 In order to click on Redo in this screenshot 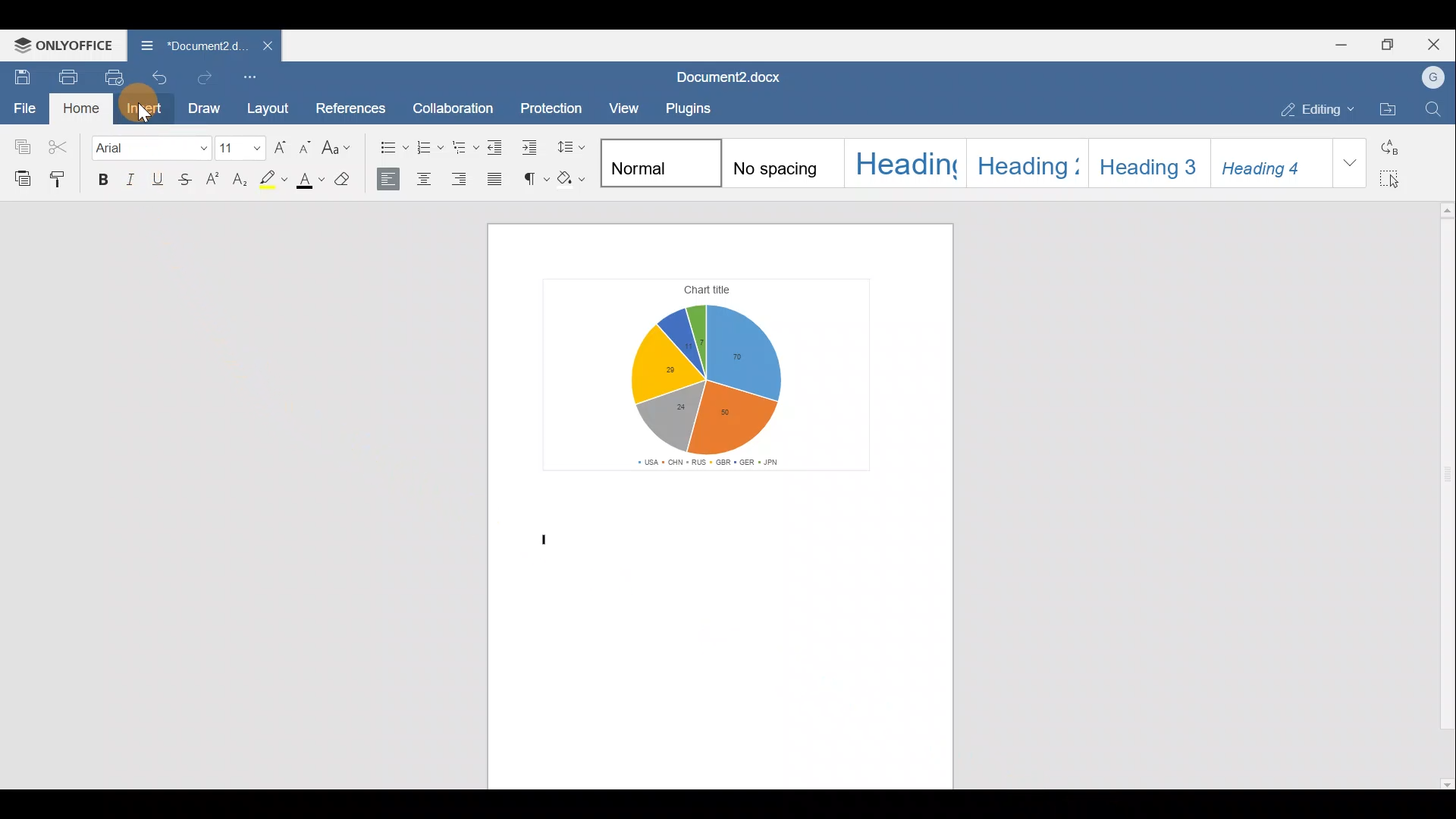, I will do `click(209, 77)`.